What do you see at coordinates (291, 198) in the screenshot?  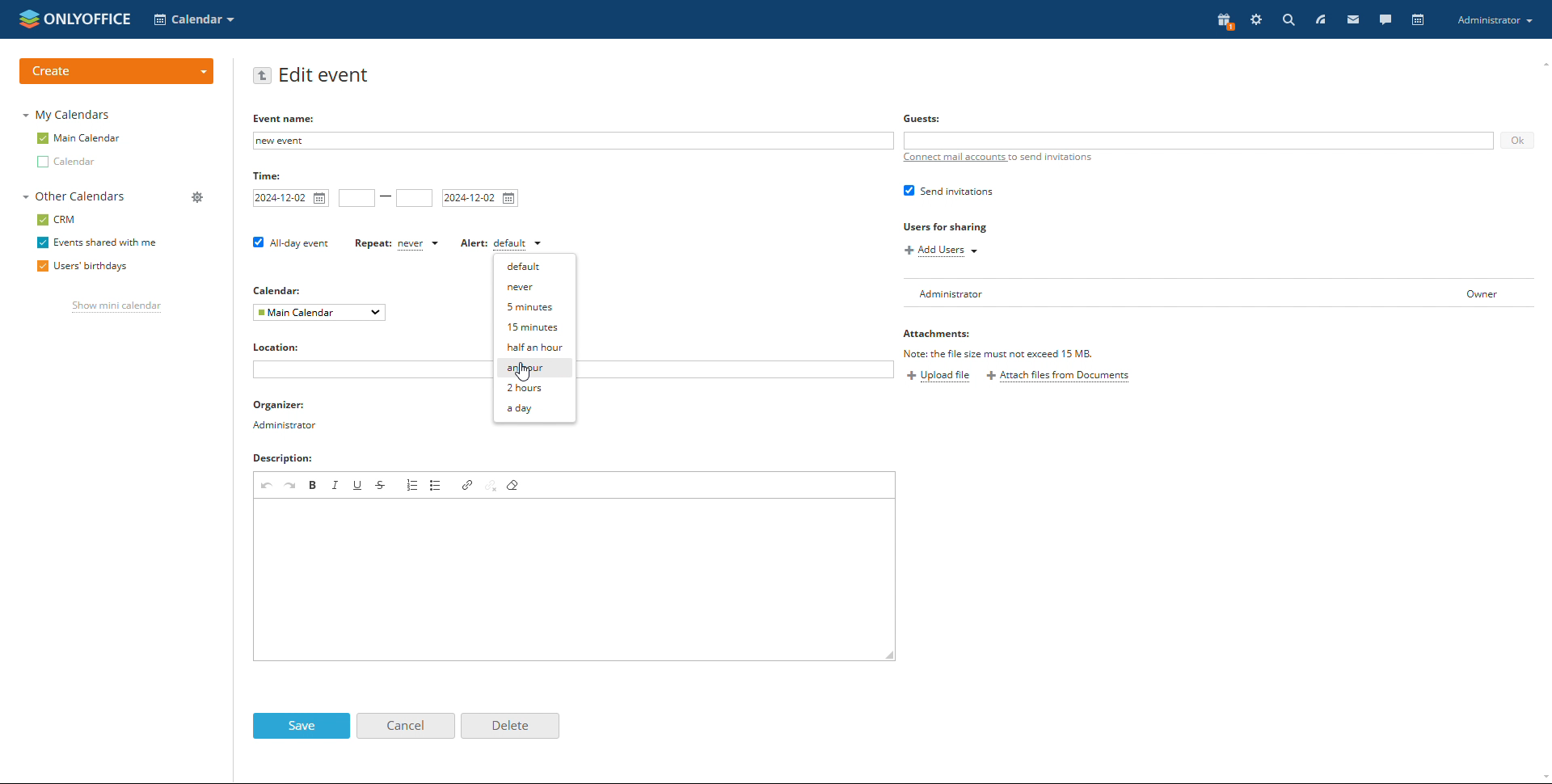 I see `start date` at bounding box center [291, 198].